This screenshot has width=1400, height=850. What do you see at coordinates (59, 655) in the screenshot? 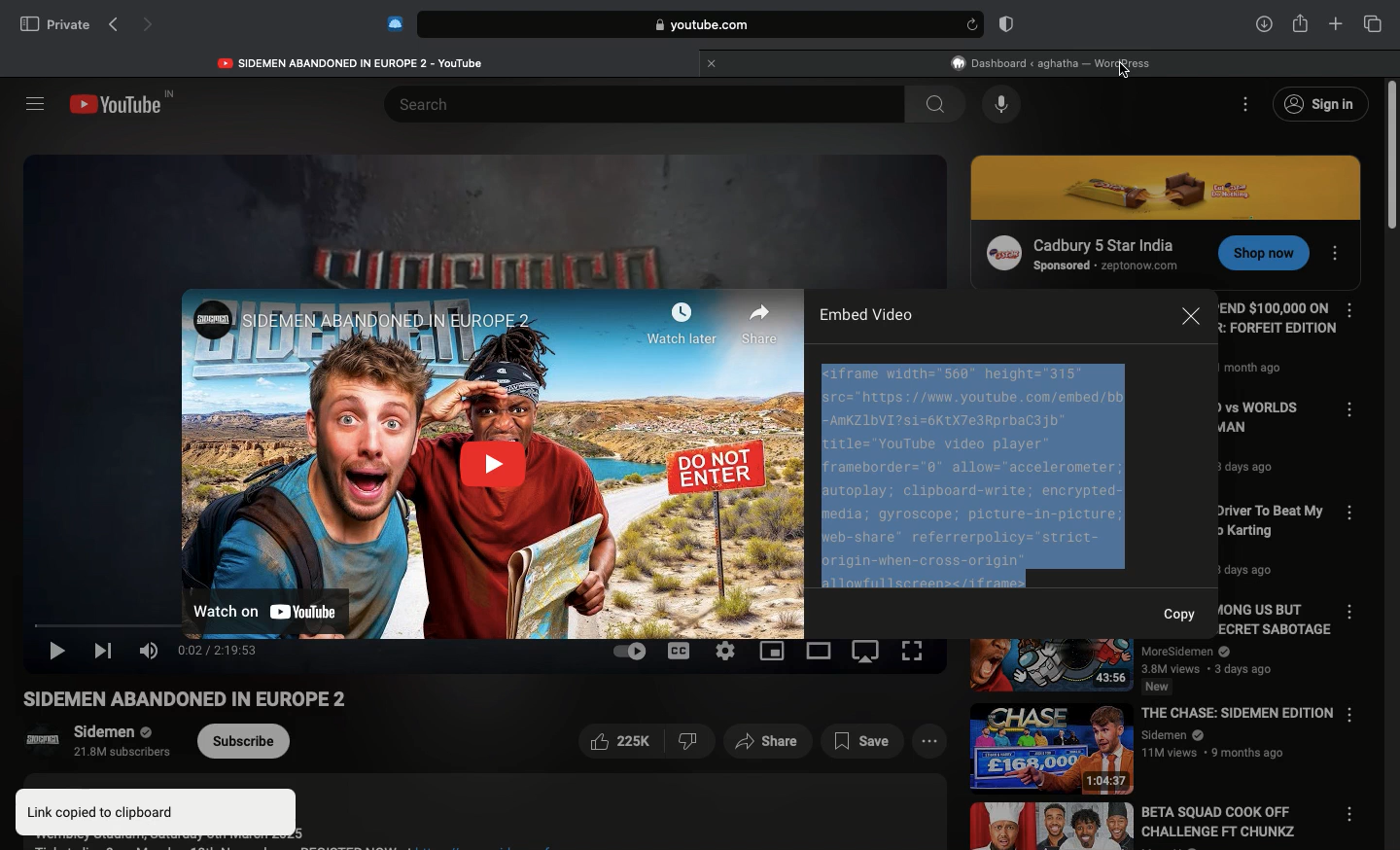
I see `Play` at bounding box center [59, 655].